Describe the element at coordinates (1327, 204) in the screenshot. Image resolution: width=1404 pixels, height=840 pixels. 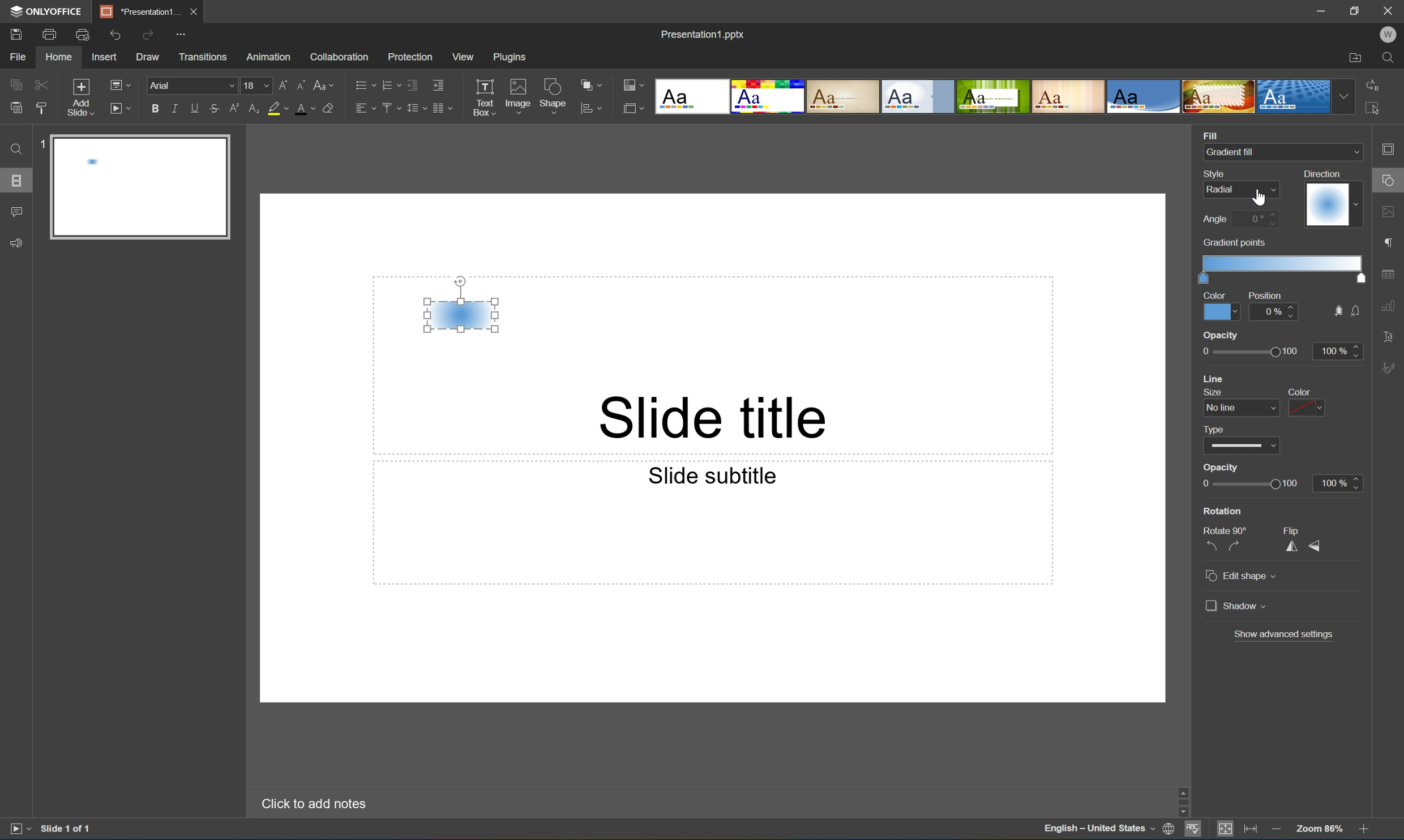
I see `Gradient` at that location.